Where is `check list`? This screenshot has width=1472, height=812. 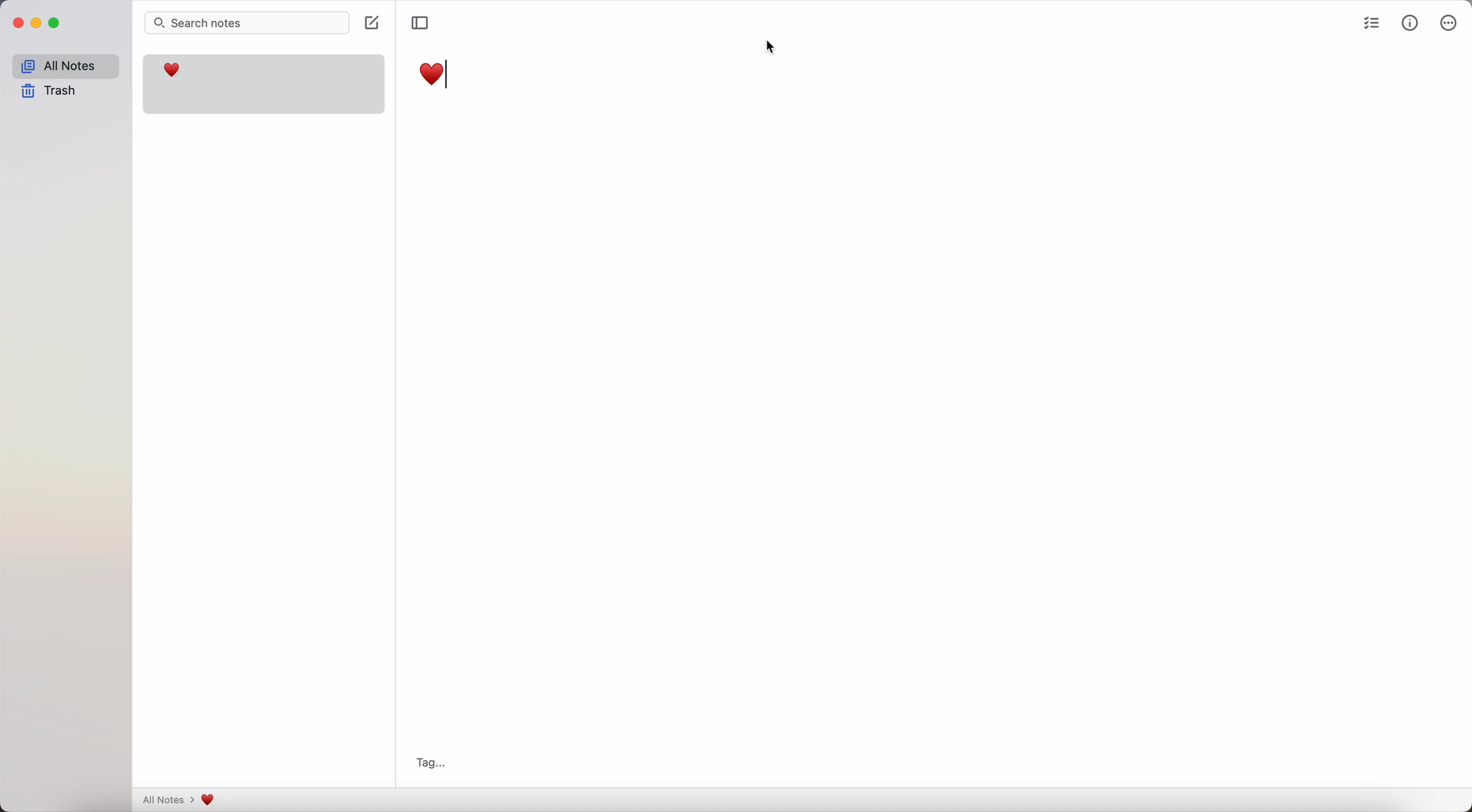
check list is located at coordinates (1369, 22).